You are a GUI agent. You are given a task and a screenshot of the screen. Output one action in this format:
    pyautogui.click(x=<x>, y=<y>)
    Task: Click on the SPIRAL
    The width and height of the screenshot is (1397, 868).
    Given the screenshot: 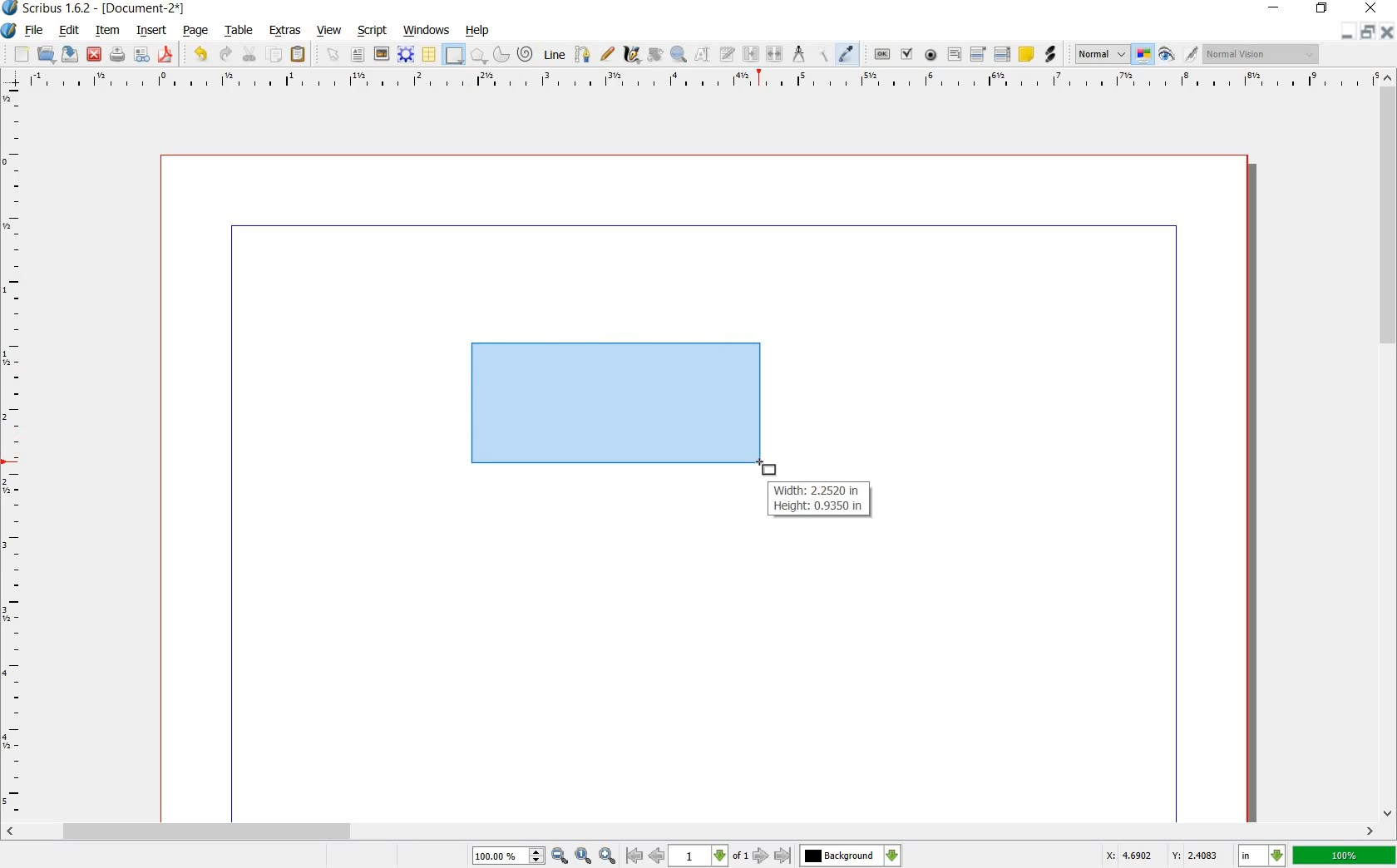 What is the action you would take?
    pyautogui.click(x=524, y=55)
    